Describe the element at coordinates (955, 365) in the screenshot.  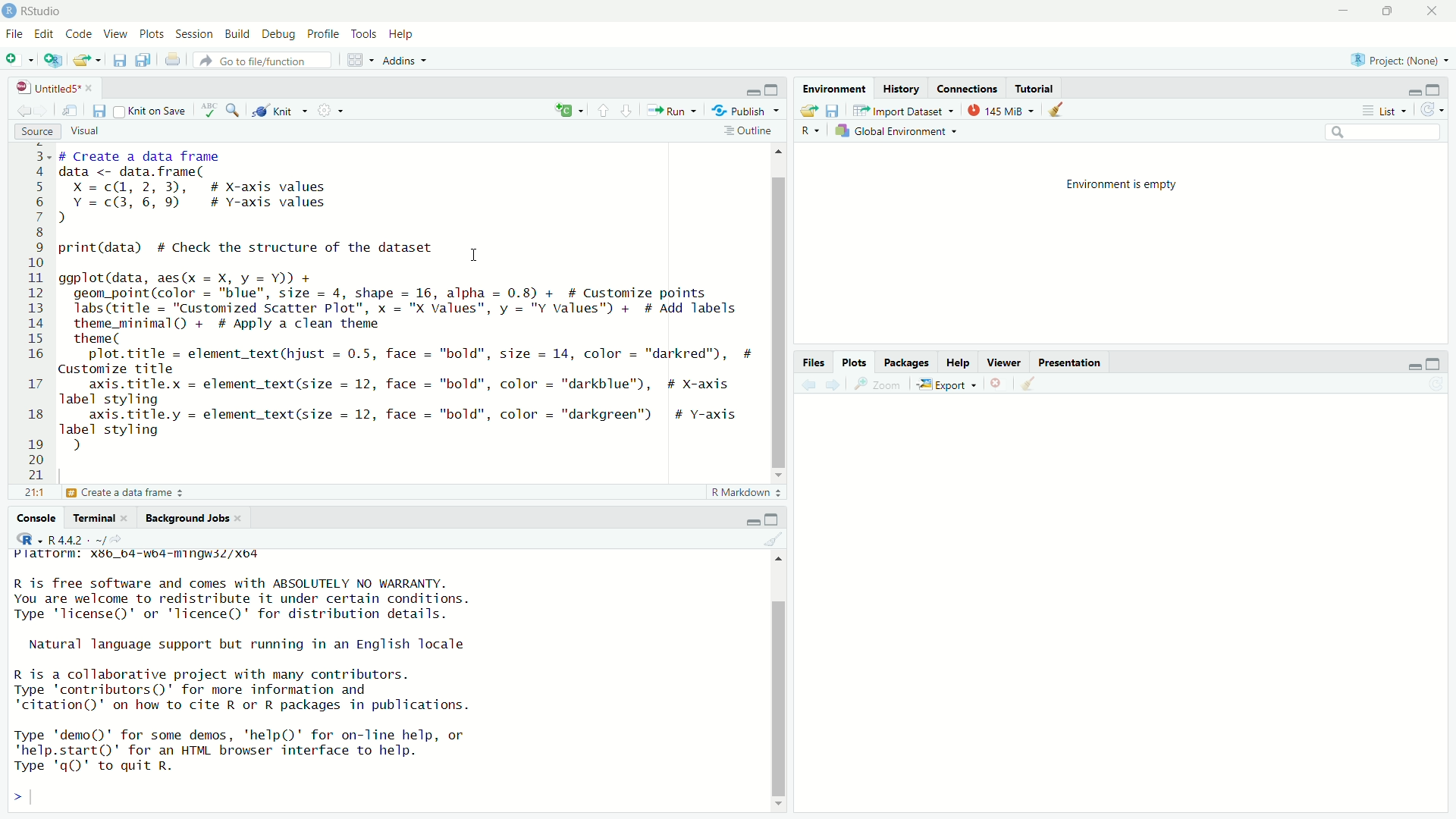
I see `Help` at that location.